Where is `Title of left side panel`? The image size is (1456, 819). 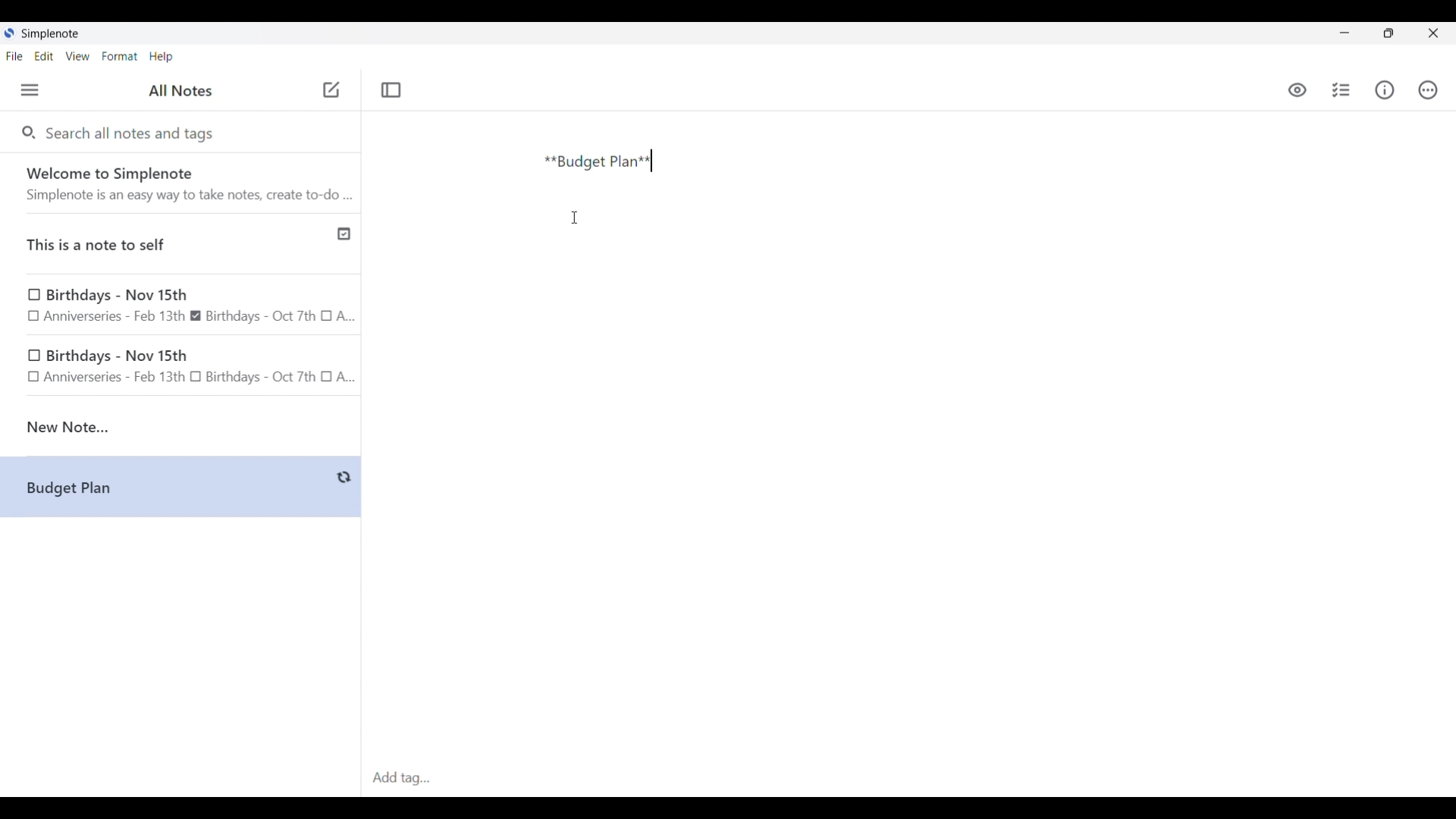
Title of left side panel is located at coordinates (180, 91).